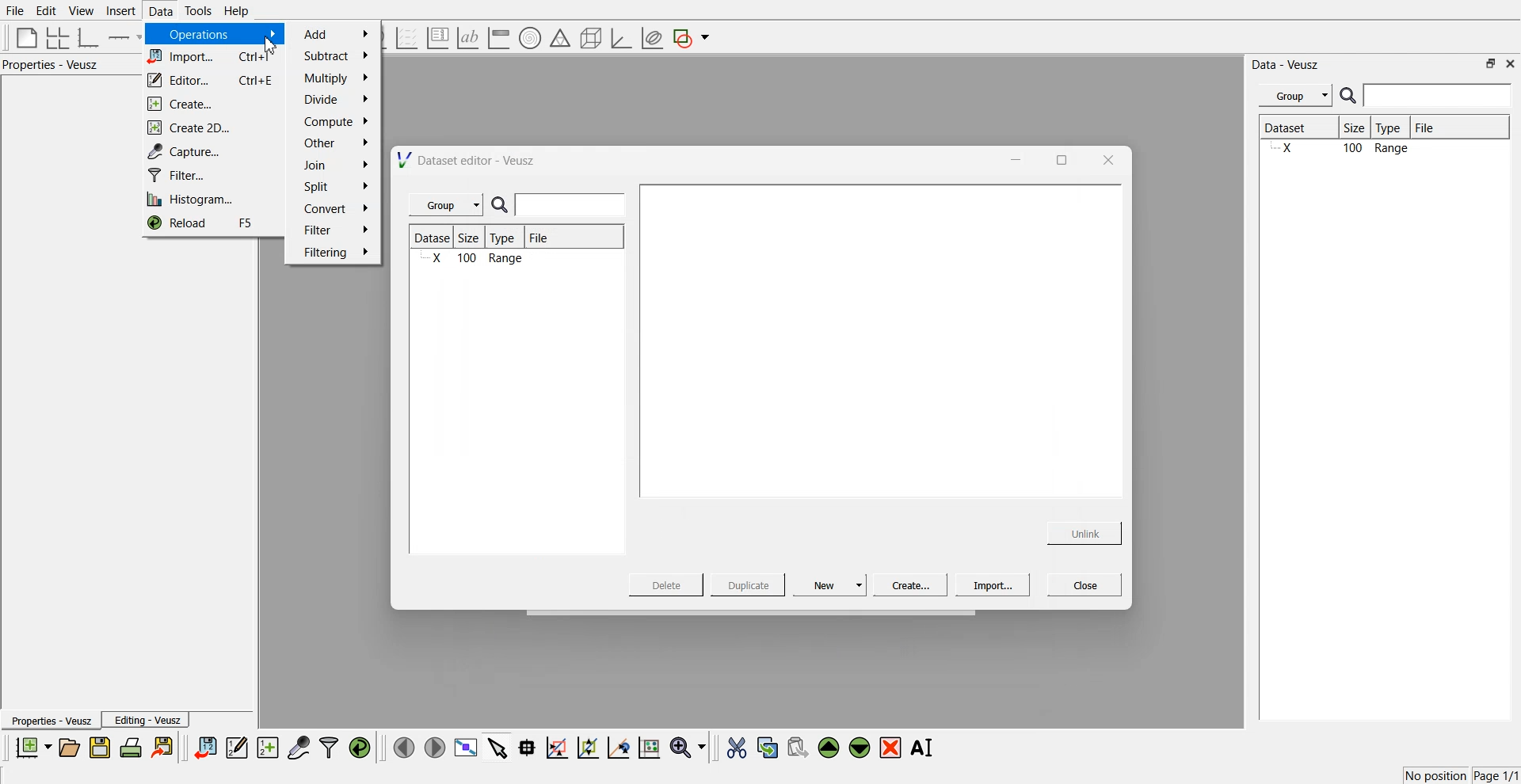  What do you see at coordinates (892, 748) in the screenshot?
I see `remove the selected widgets` at bounding box center [892, 748].